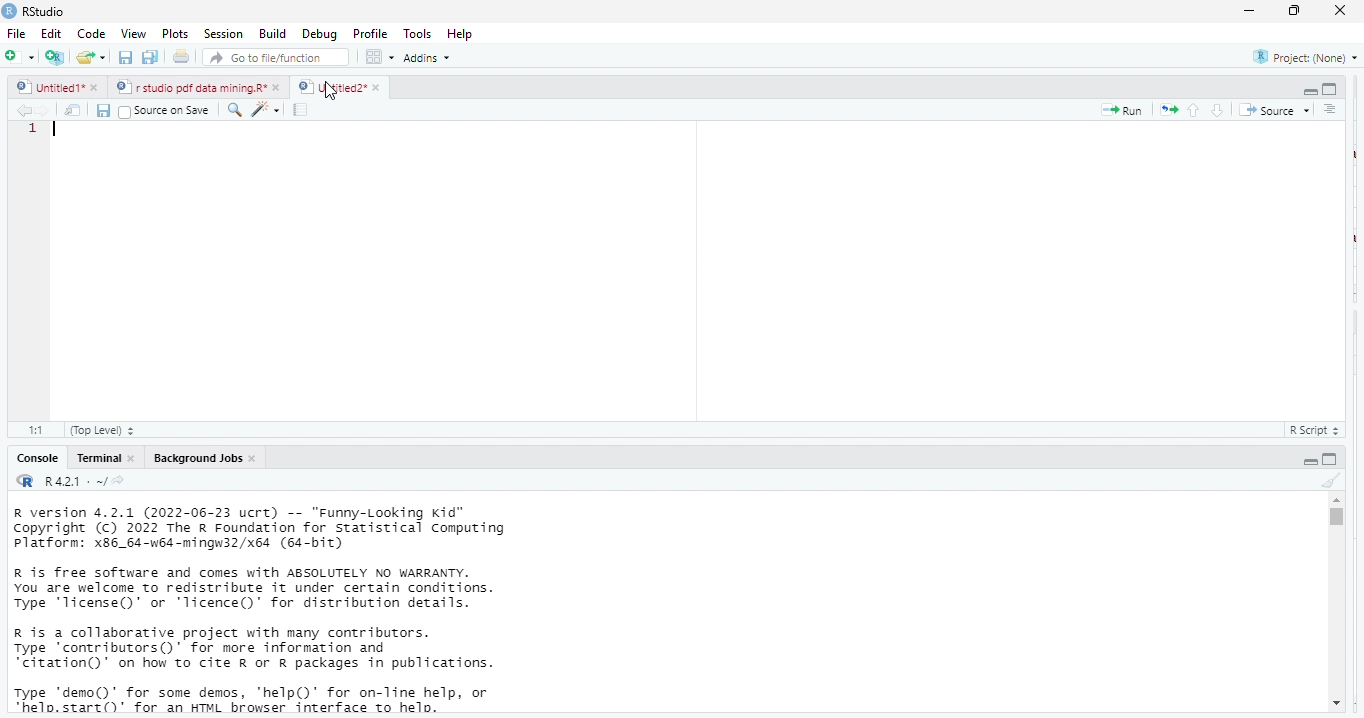 This screenshot has height=718, width=1364. I want to click on close, so click(98, 89).